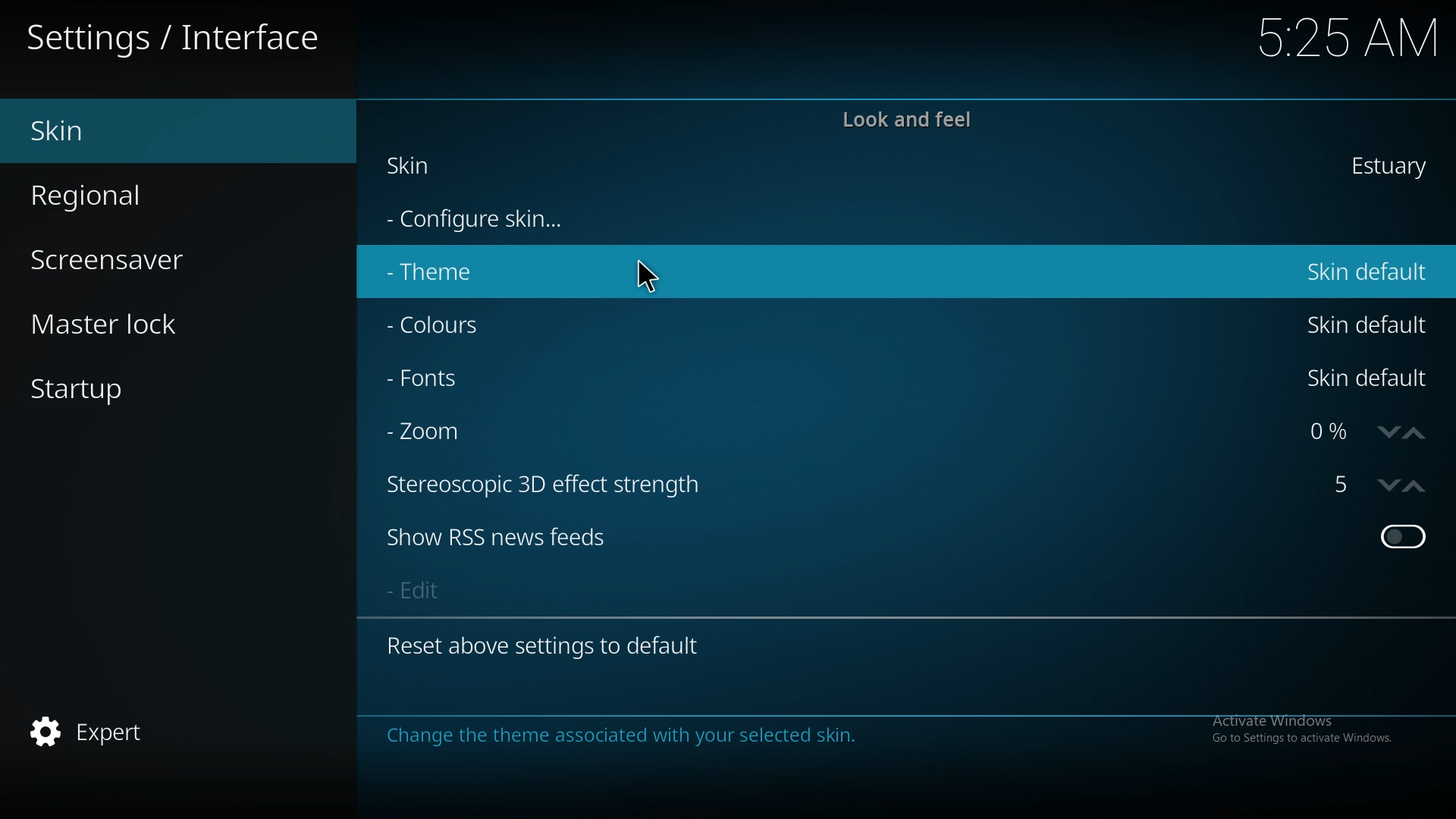  I want to click on master lock, so click(146, 324).